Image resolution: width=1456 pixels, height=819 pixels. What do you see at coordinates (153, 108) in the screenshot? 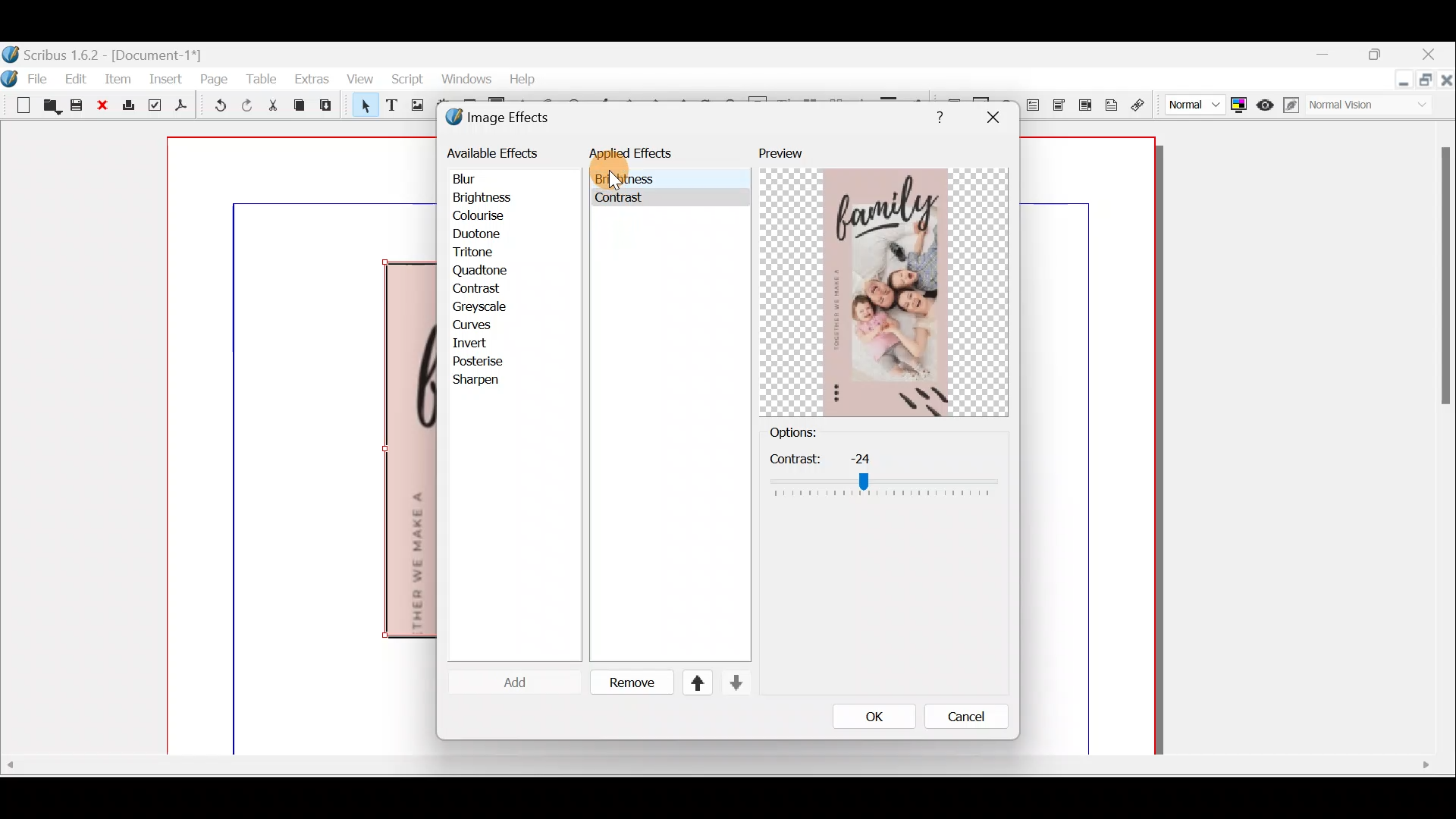
I see `Preflight verifier` at bounding box center [153, 108].